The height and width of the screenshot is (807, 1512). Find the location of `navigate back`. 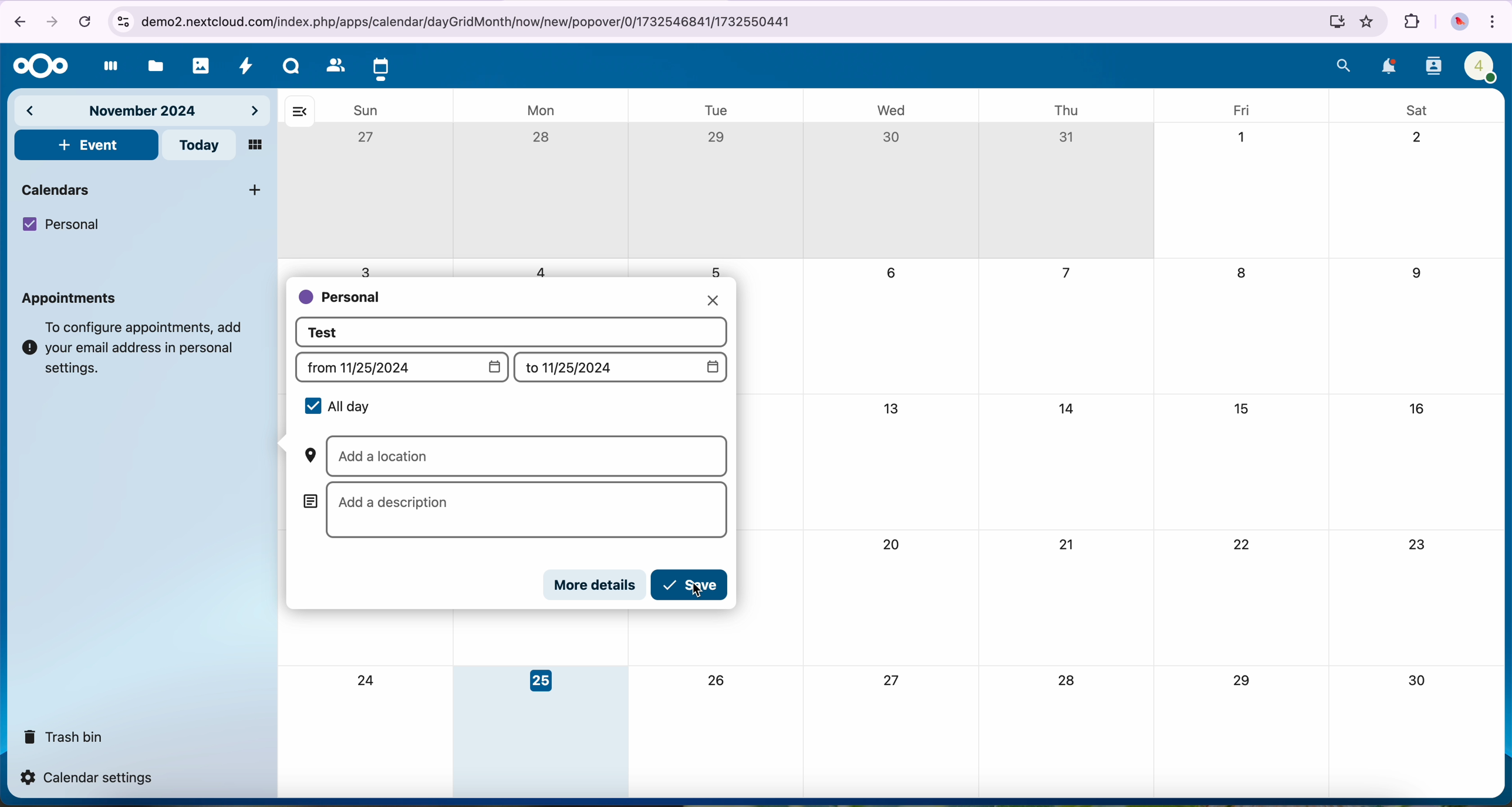

navigate back is located at coordinates (20, 21).